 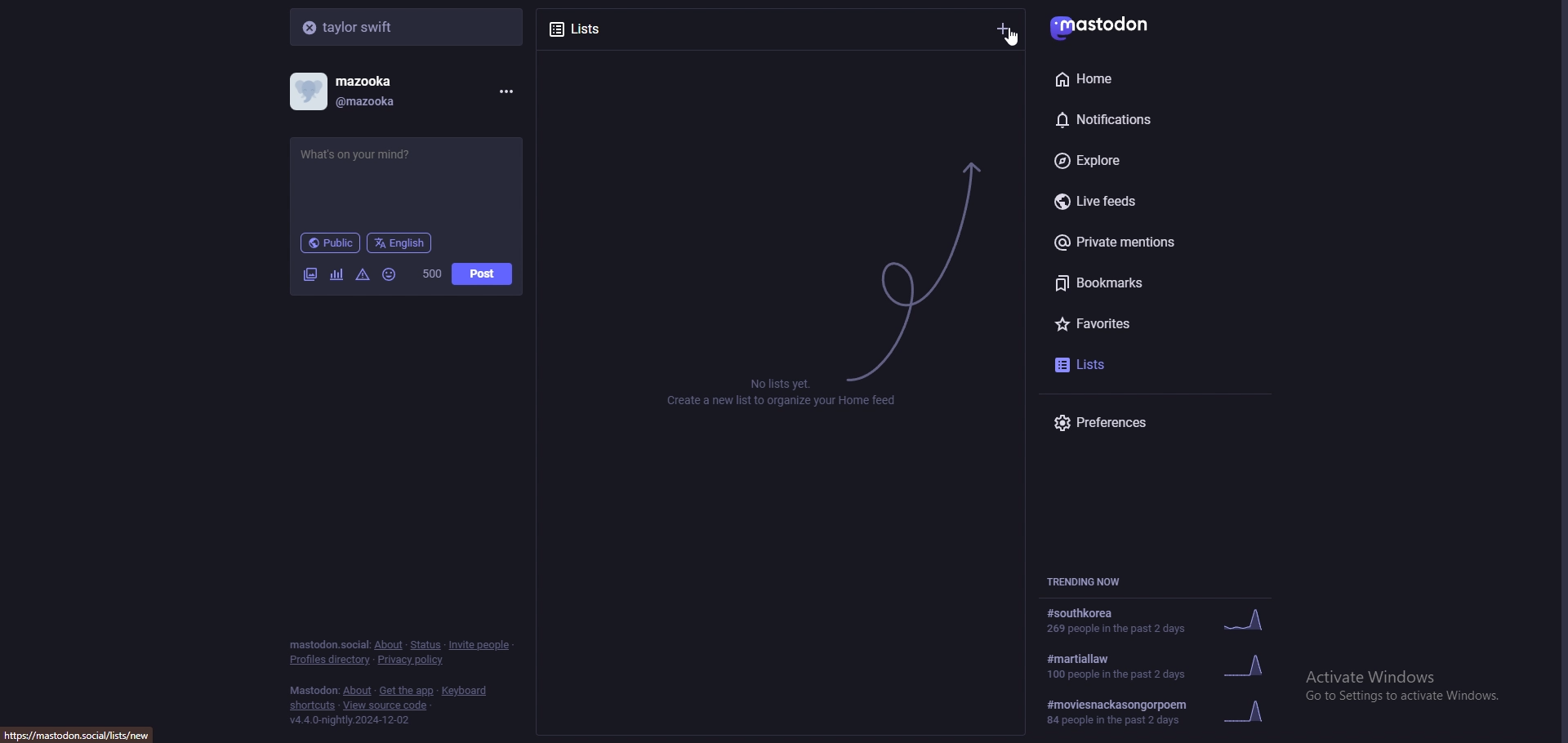 What do you see at coordinates (314, 691) in the screenshot?
I see `mastodon` at bounding box center [314, 691].